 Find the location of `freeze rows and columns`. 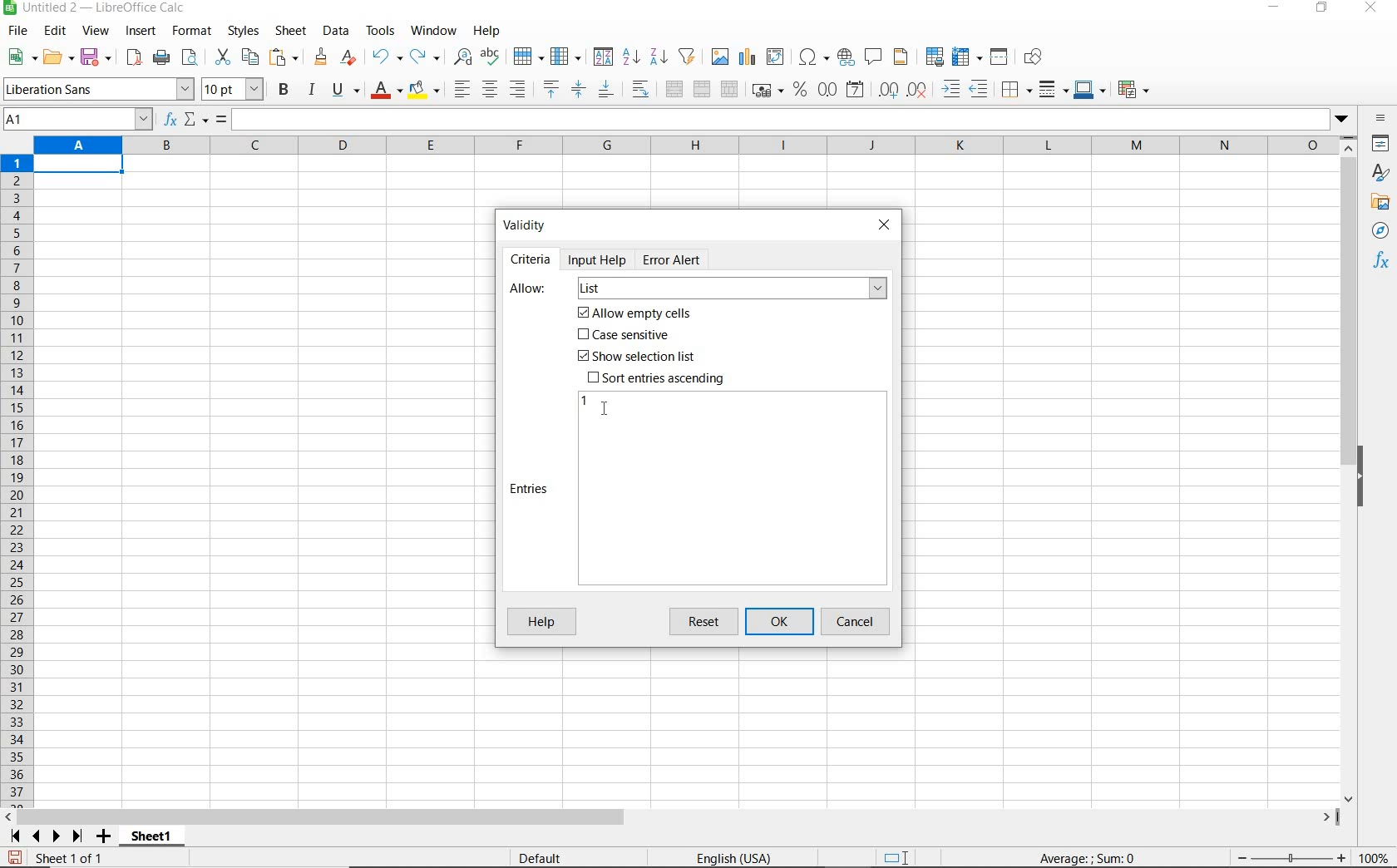

freeze rows and columns is located at coordinates (968, 57).